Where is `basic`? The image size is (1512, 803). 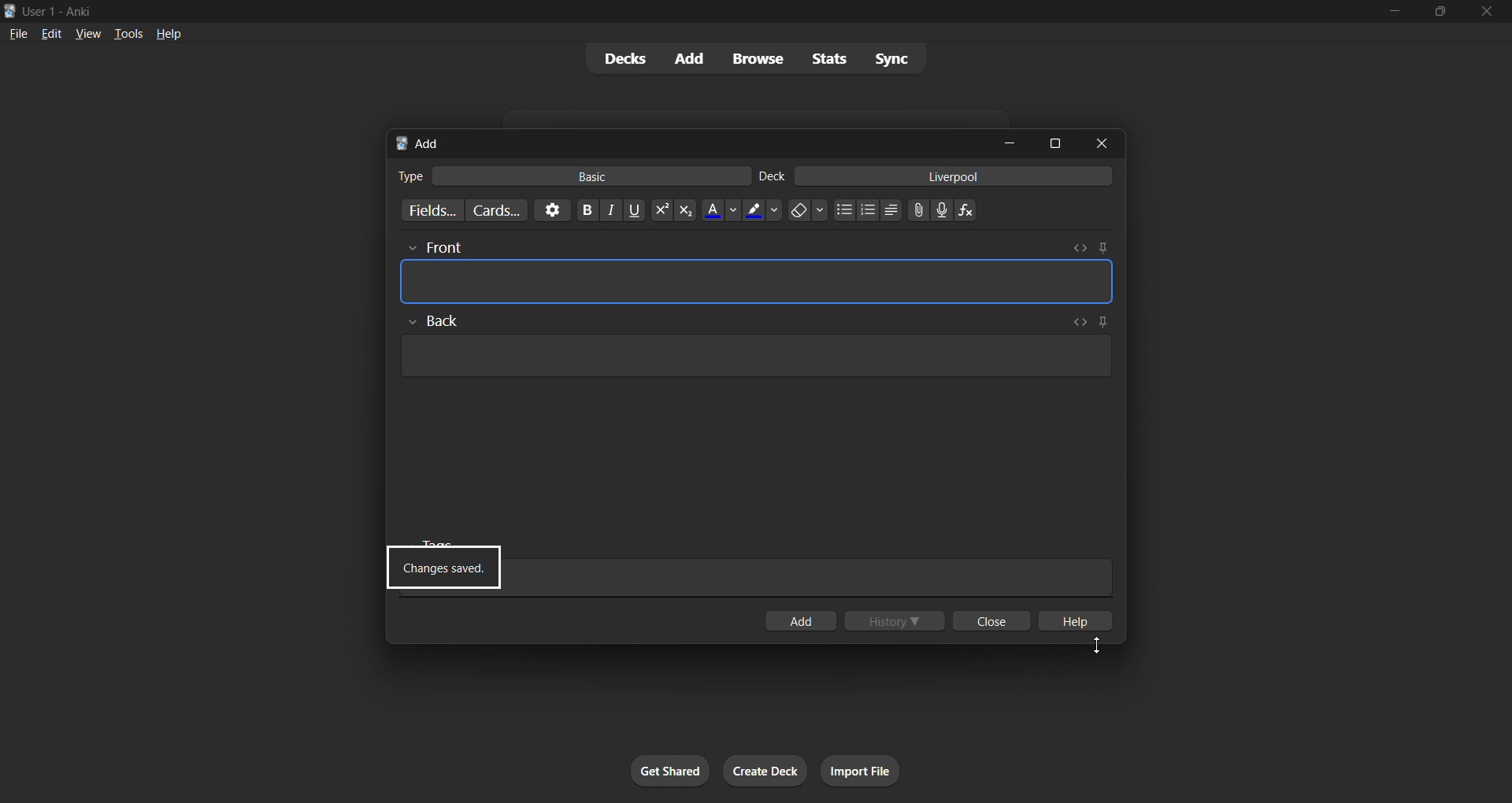
basic is located at coordinates (589, 176).